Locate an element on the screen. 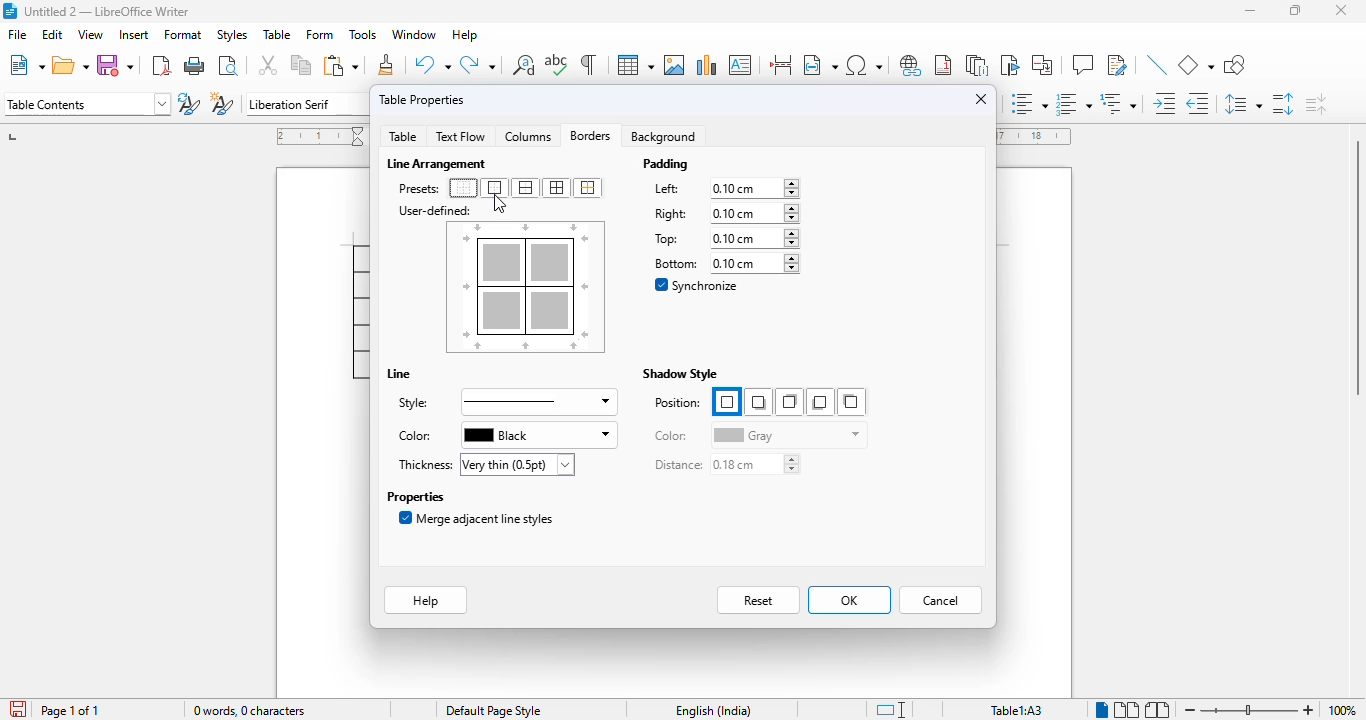 The width and height of the screenshot is (1366, 720). properties is located at coordinates (415, 496).